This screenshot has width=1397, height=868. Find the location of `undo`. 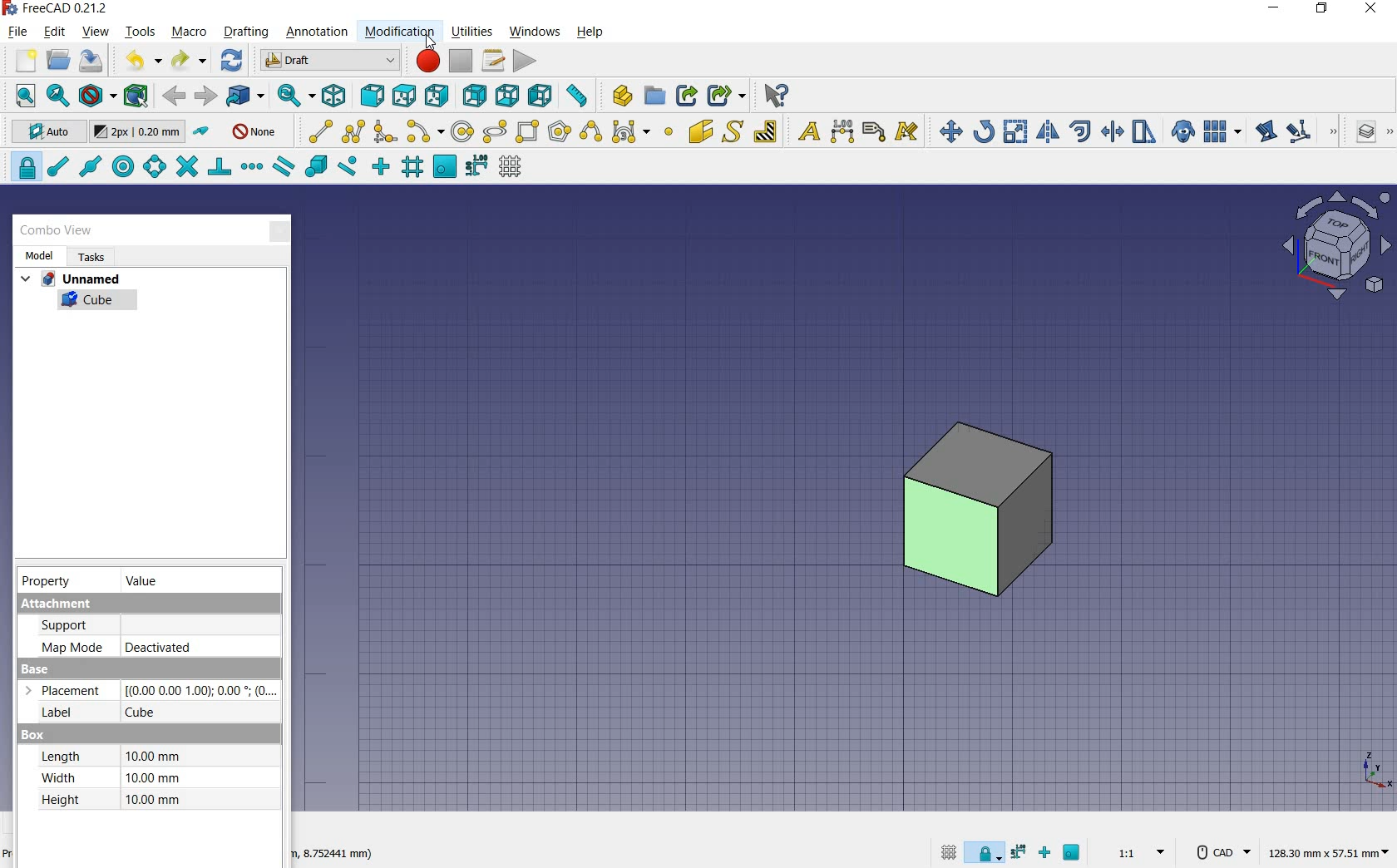

undo is located at coordinates (137, 60).